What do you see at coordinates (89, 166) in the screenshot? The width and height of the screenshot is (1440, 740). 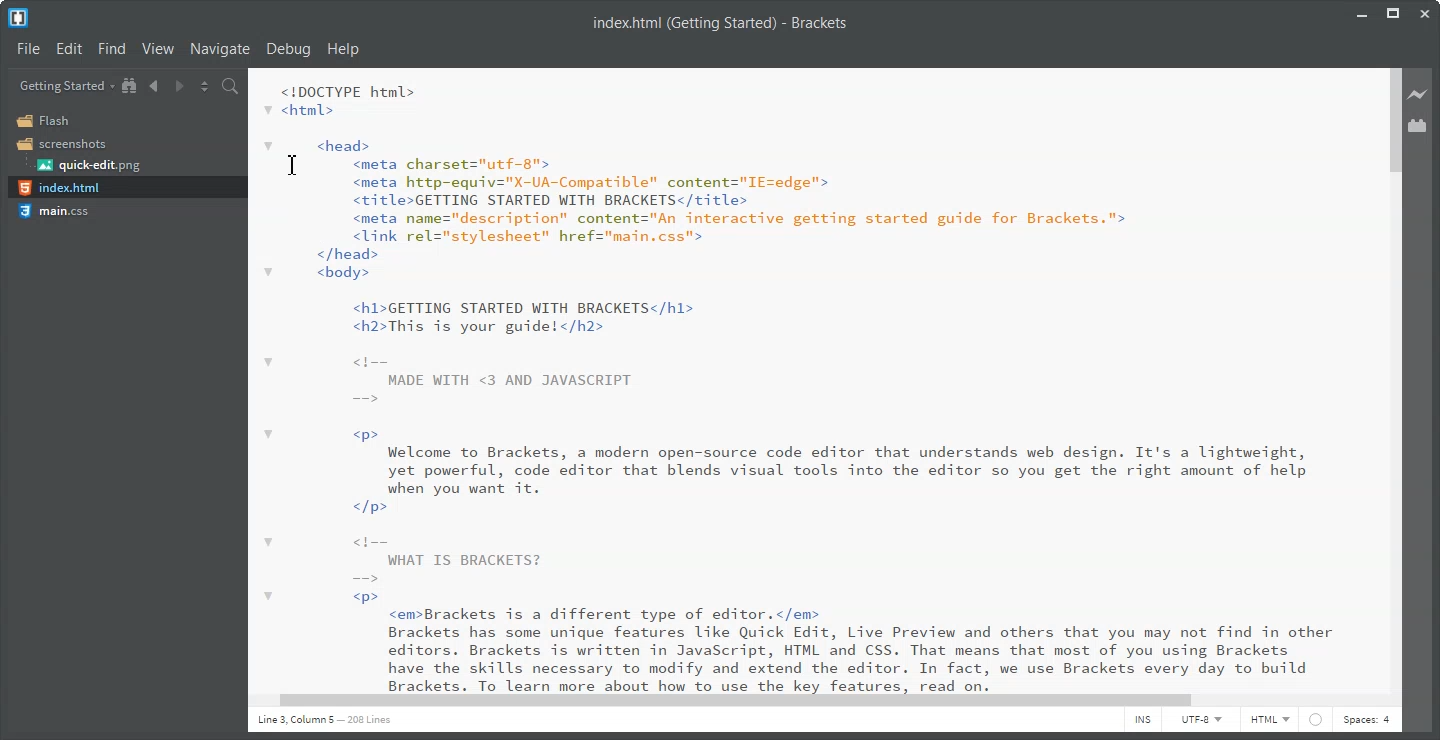 I see `quick-edit.png` at bounding box center [89, 166].